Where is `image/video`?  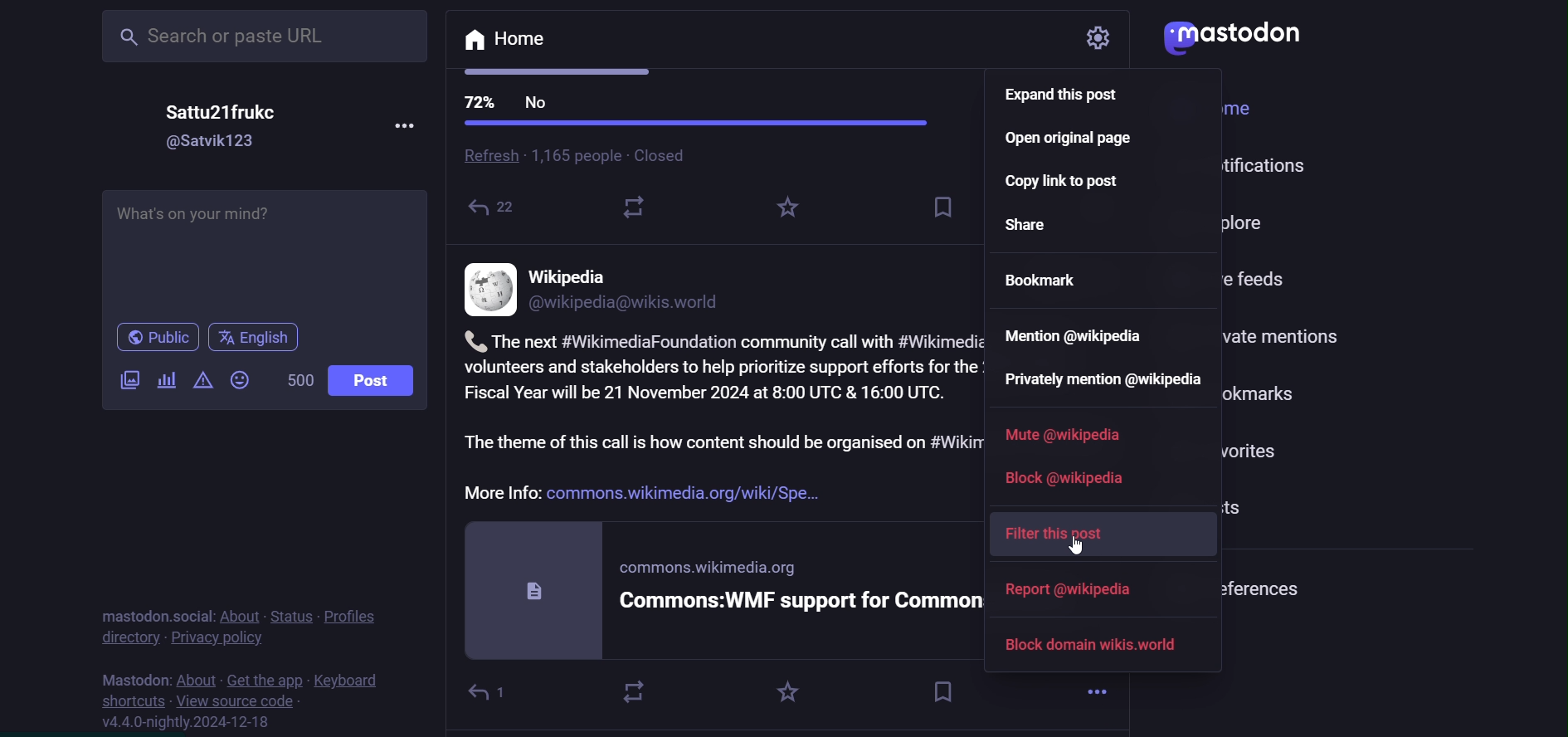 image/video is located at coordinates (129, 379).